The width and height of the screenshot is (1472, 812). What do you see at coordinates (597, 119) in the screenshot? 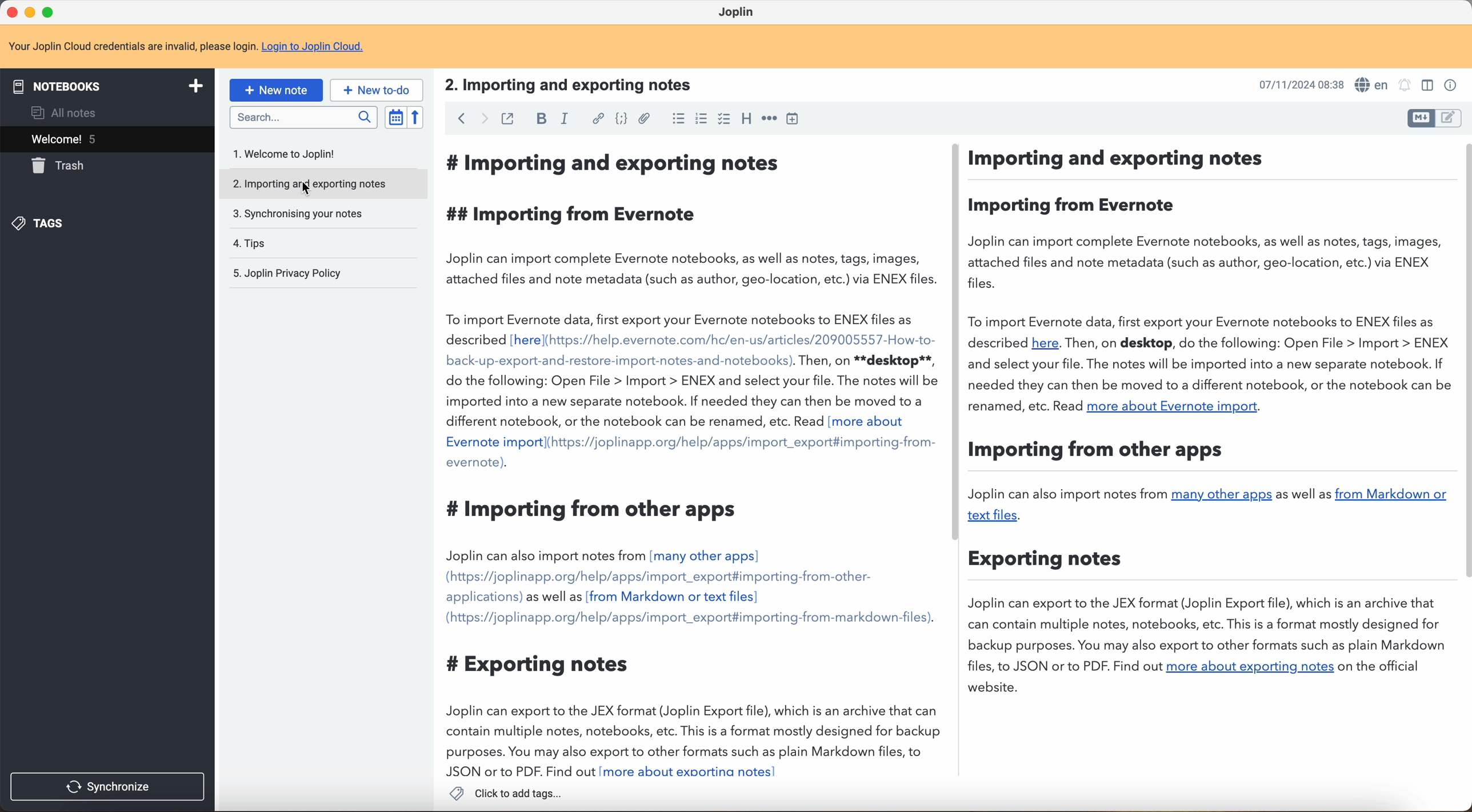
I see `hyperlink` at bounding box center [597, 119].